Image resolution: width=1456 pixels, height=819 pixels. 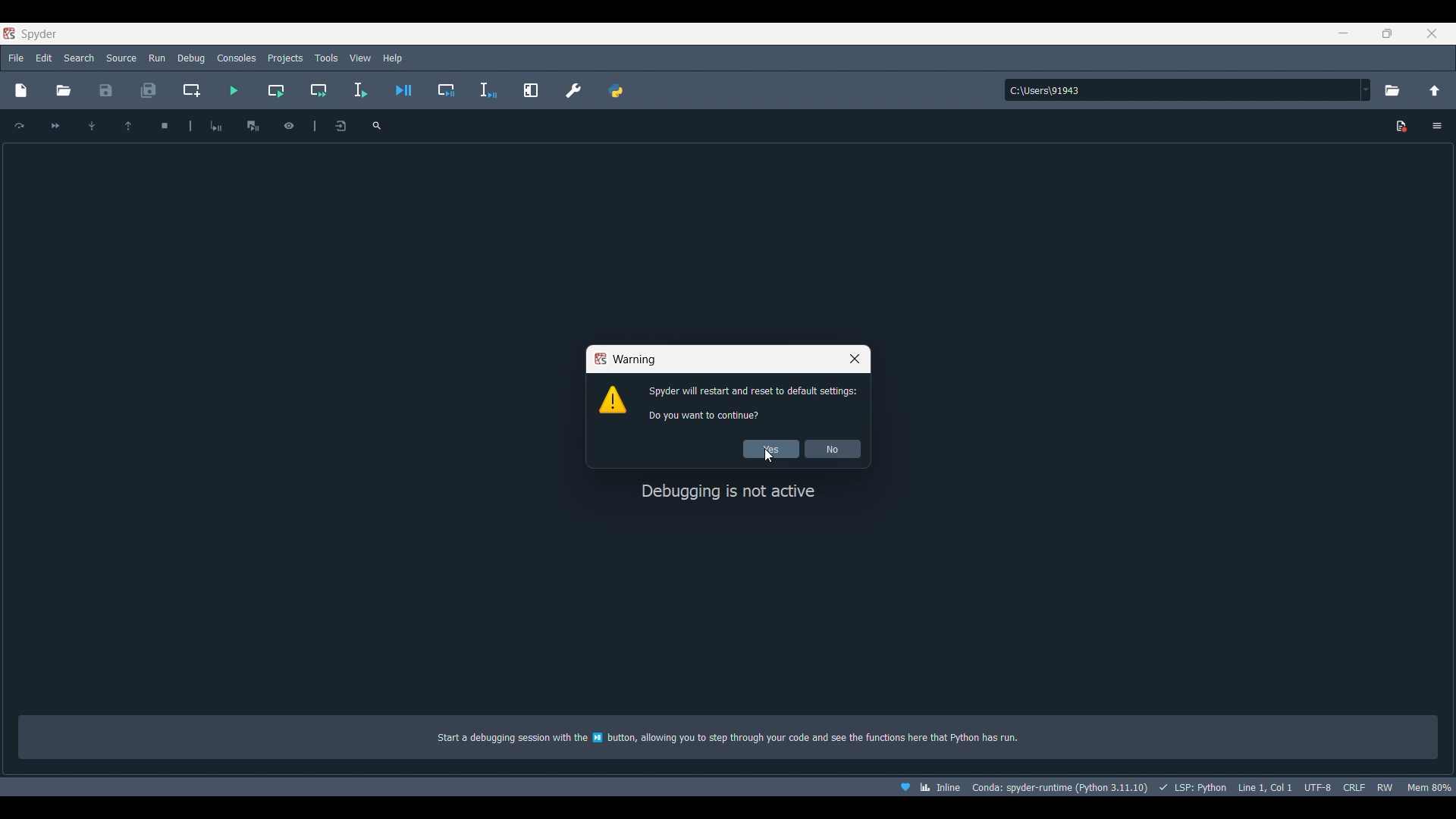 I want to click on View menu, so click(x=359, y=58).